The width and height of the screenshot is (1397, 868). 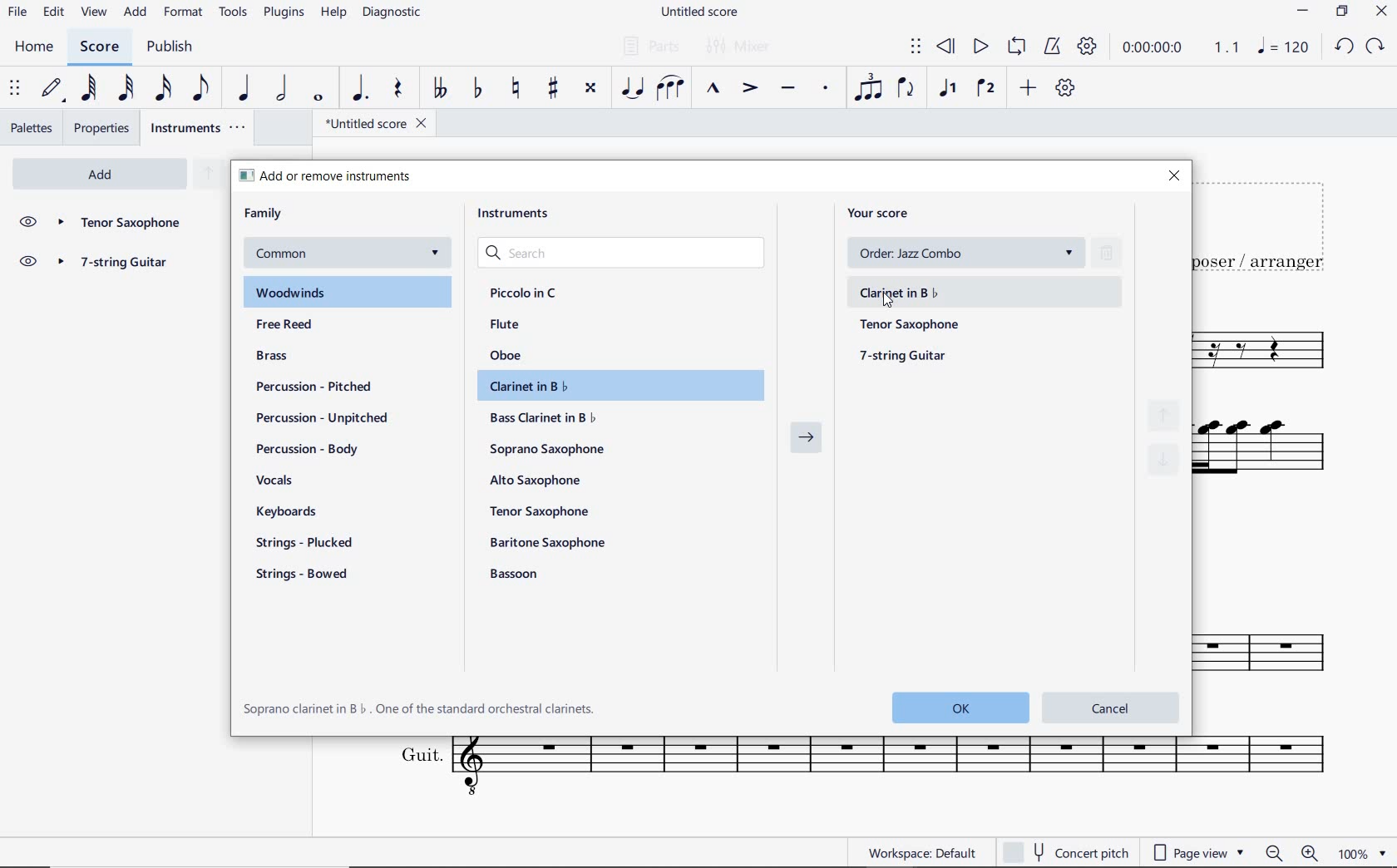 What do you see at coordinates (982, 293) in the screenshot?
I see `clarinet in b (selected)` at bounding box center [982, 293].